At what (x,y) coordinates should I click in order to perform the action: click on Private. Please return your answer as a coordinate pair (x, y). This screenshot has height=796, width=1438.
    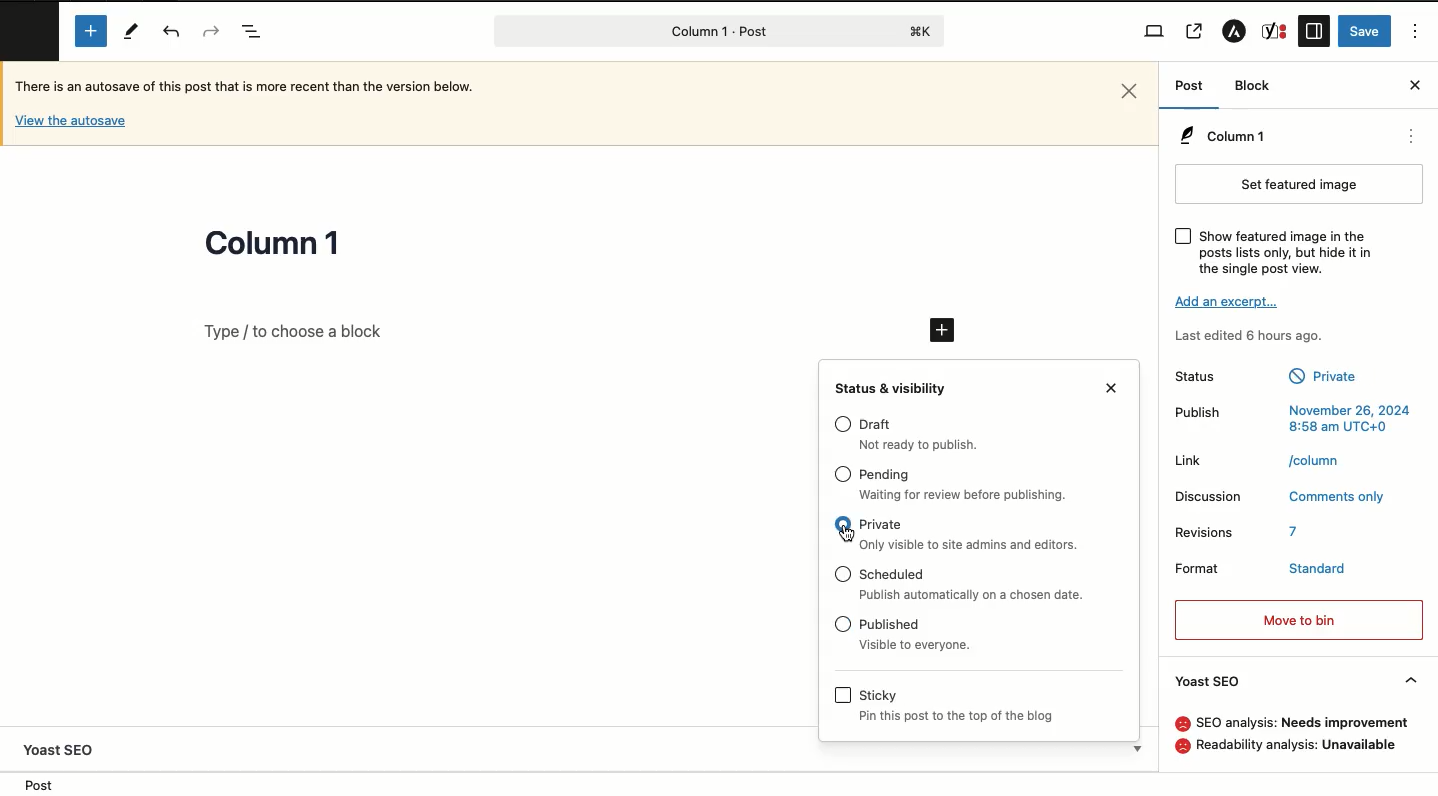
    Looking at the image, I should click on (972, 543).